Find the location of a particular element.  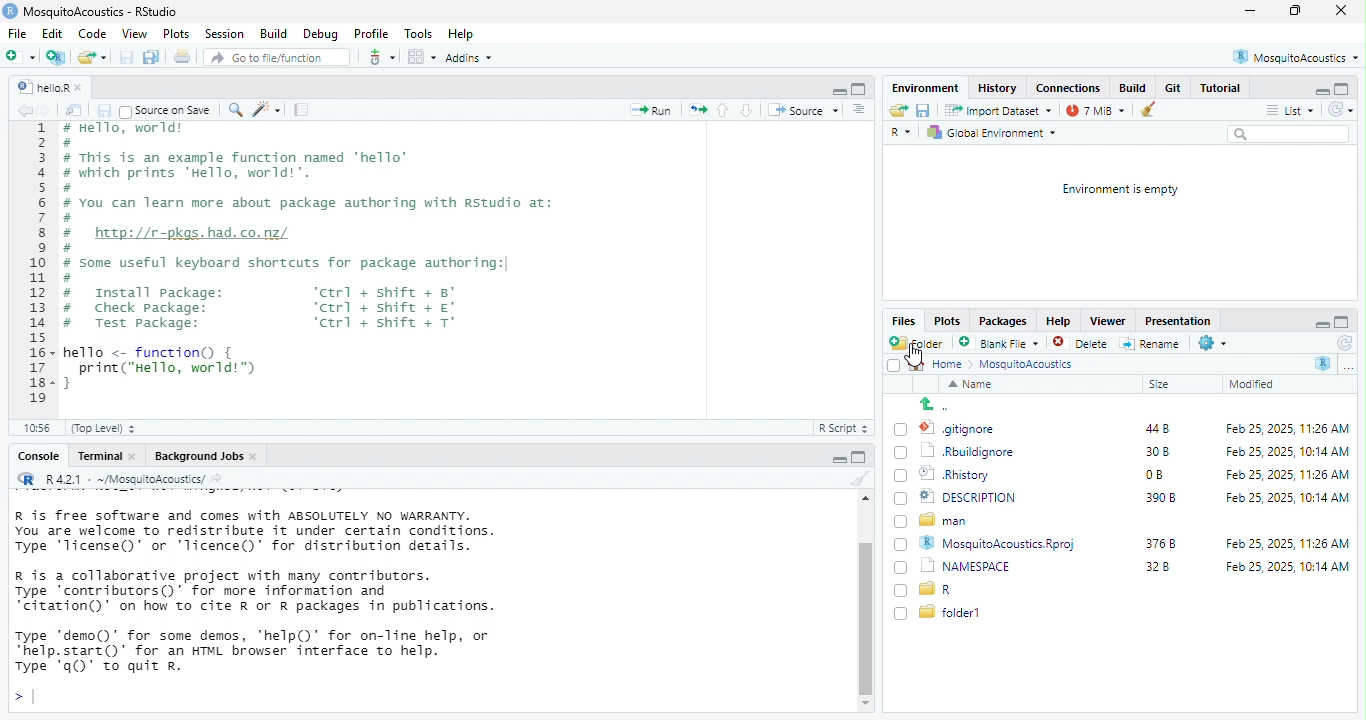

3908 is located at coordinates (1161, 499).